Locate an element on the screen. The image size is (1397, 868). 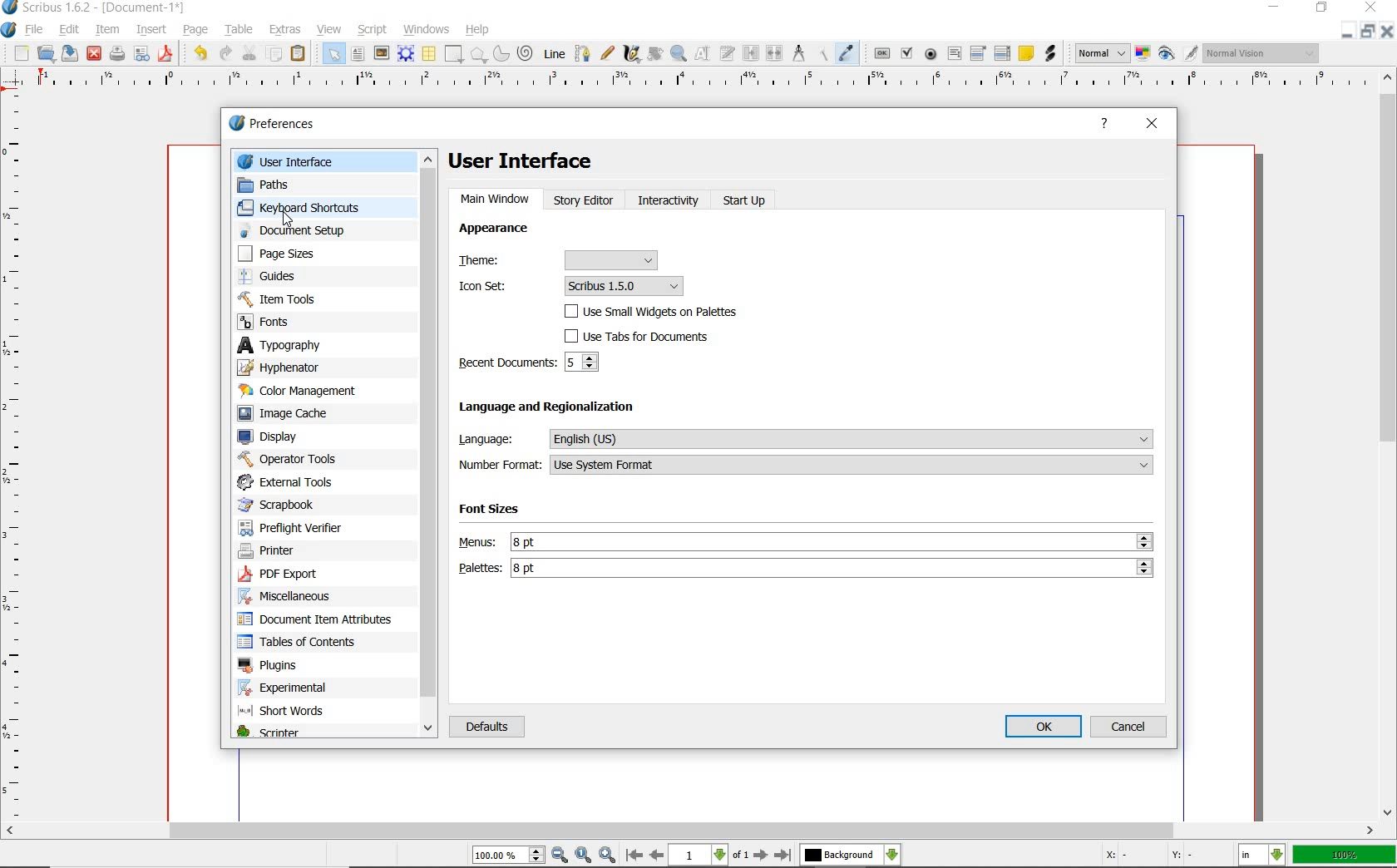
cancel is located at coordinates (1131, 726).